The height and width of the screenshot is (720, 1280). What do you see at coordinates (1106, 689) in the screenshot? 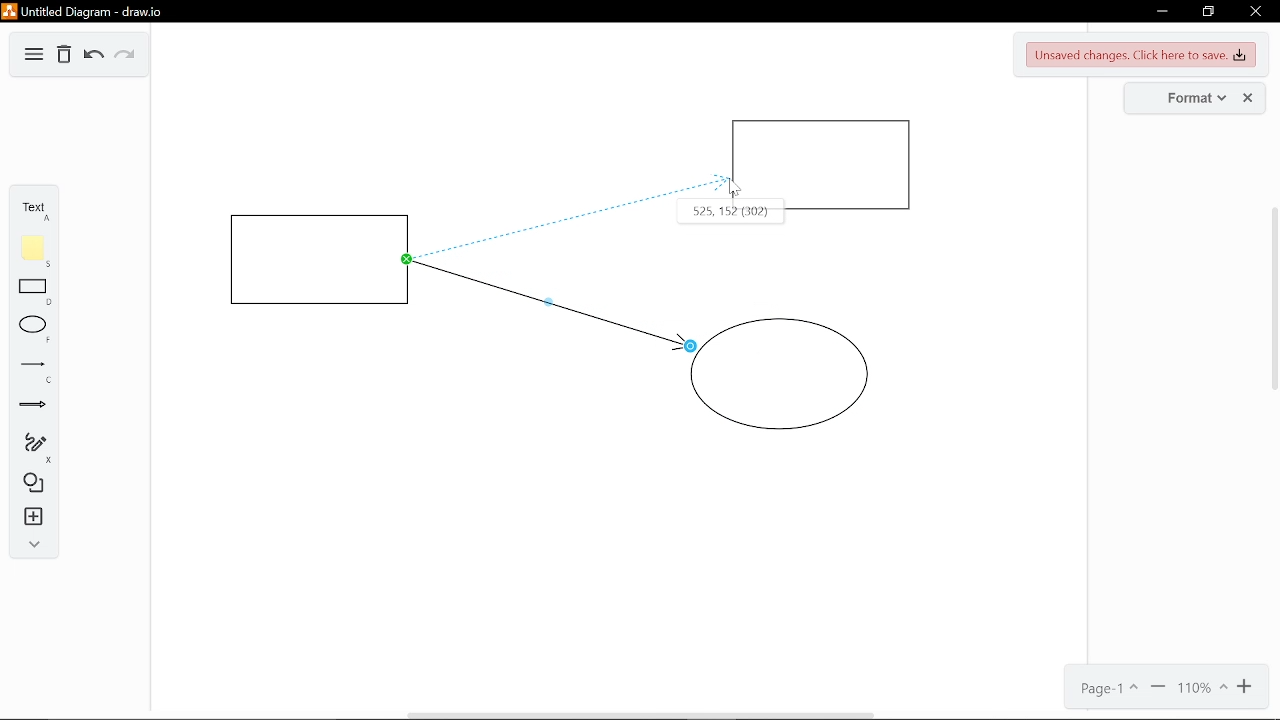
I see `Page 1` at bounding box center [1106, 689].